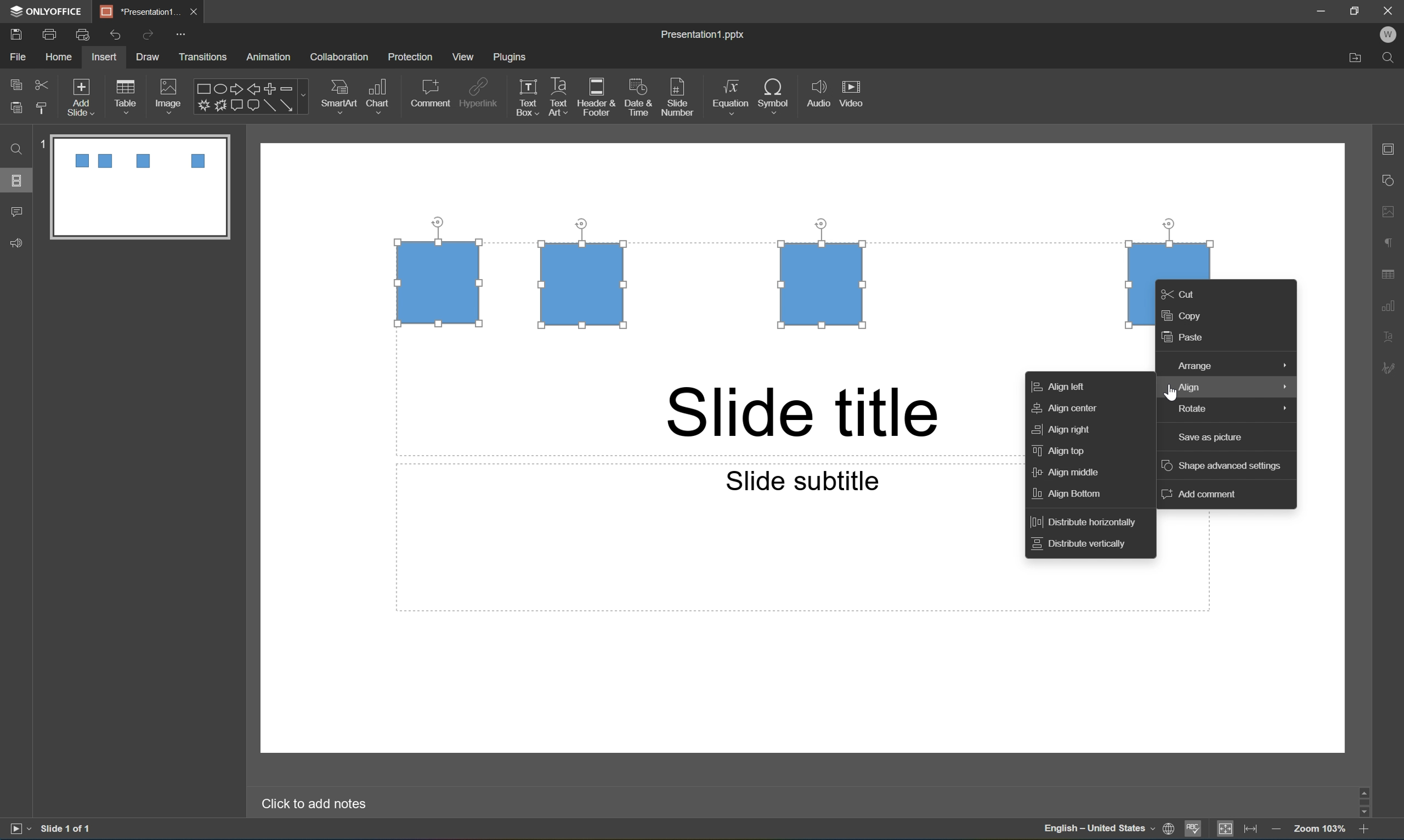 Image resolution: width=1404 pixels, height=840 pixels. What do you see at coordinates (1392, 57) in the screenshot?
I see `Find` at bounding box center [1392, 57].